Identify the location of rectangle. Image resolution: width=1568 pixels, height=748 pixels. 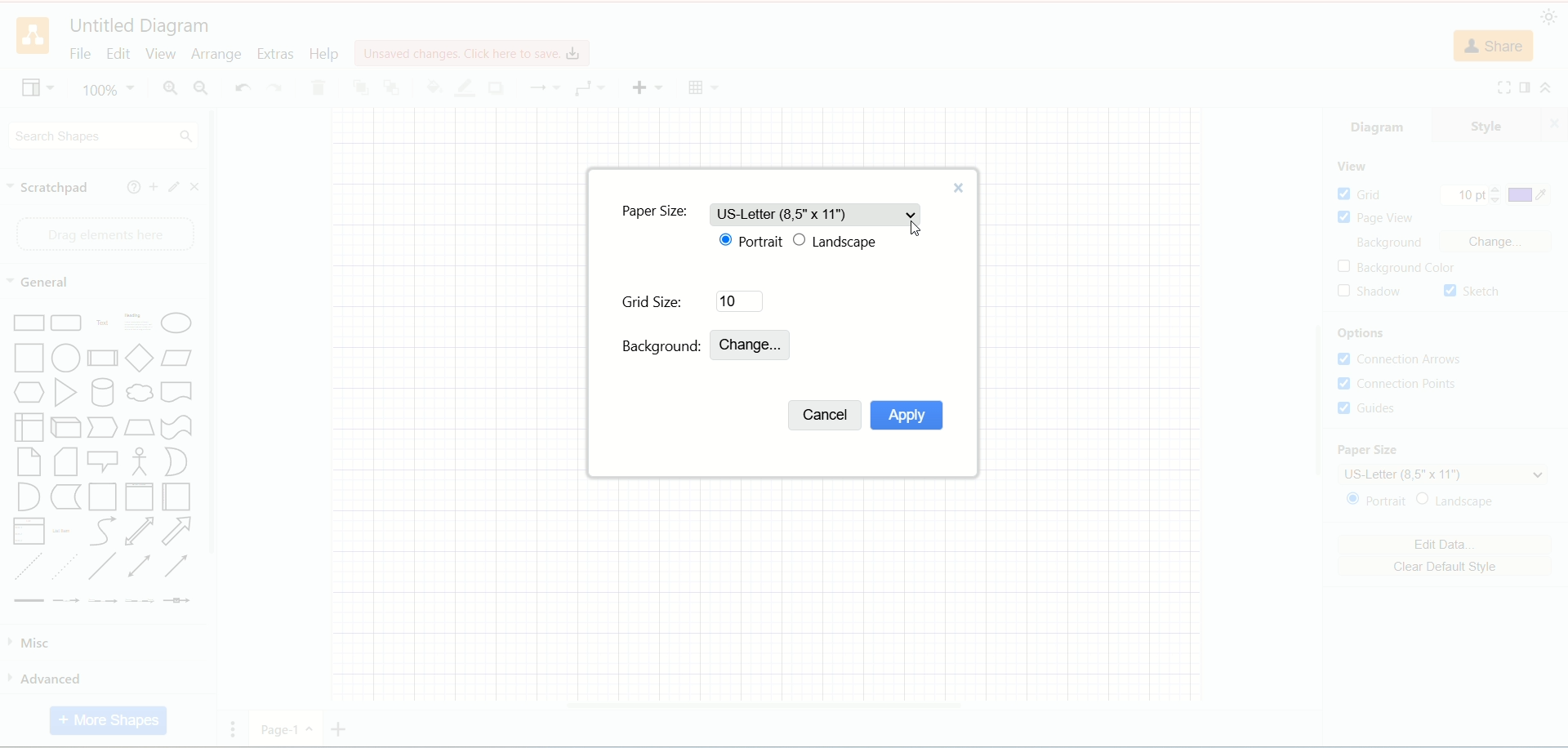
(30, 324).